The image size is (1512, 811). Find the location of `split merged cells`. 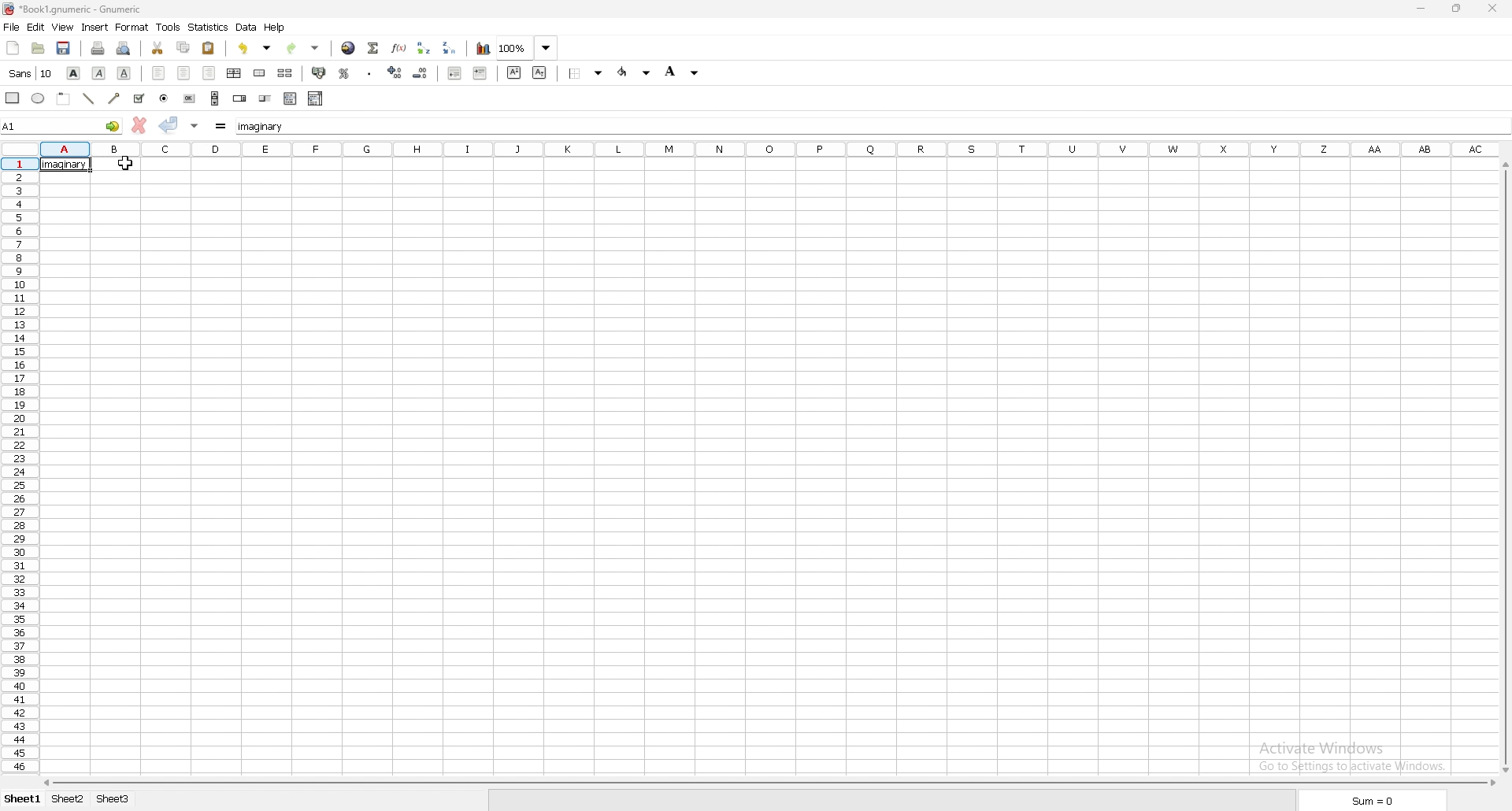

split merged cells is located at coordinates (285, 72).